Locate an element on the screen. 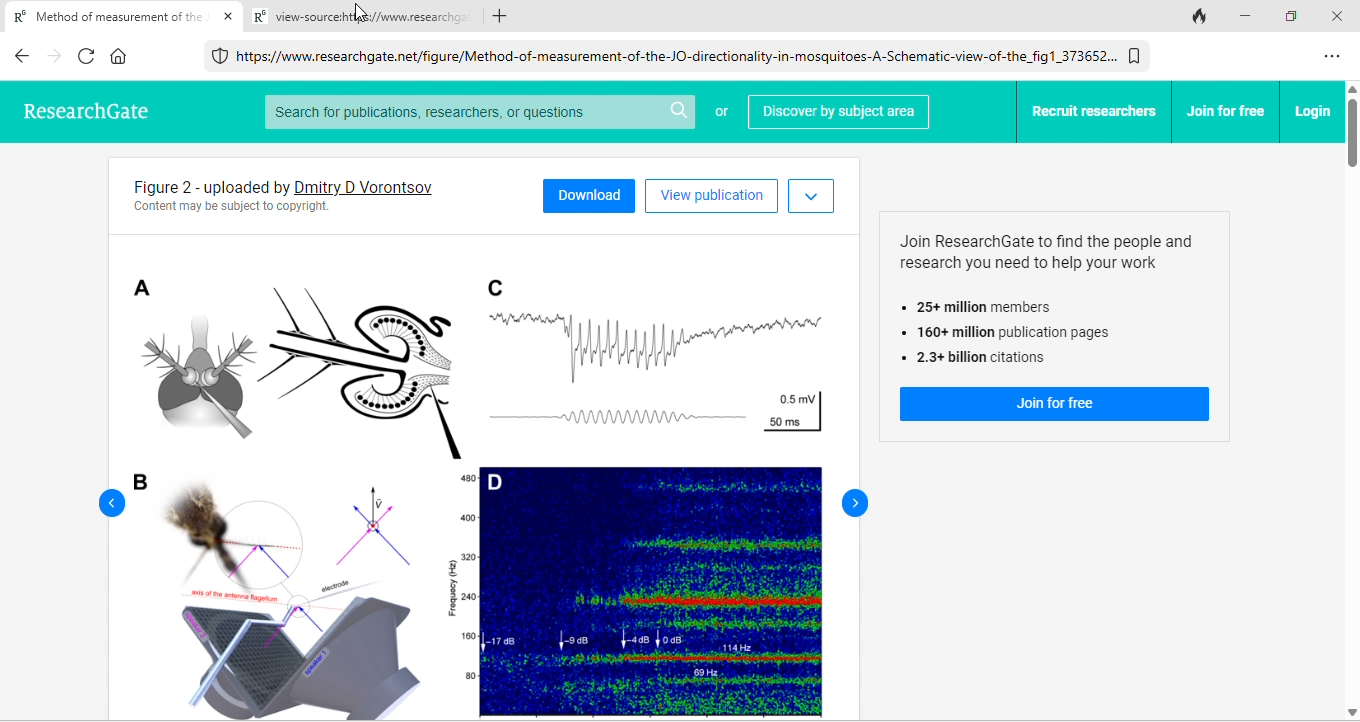 This screenshot has height=722, width=1360. bookmark tab is located at coordinates (1136, 55).